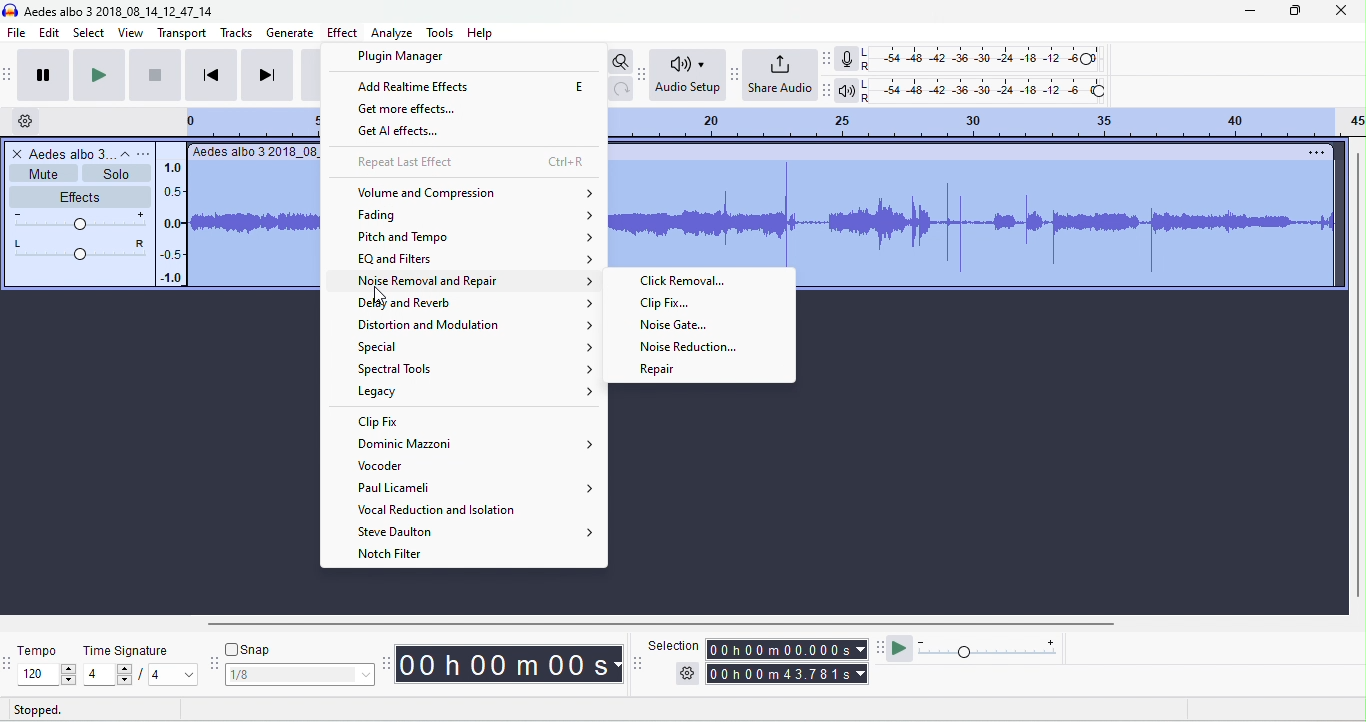 The height and width of the screenshot is (722, 1366). Describe the element at coordinates (215, 663) in the screenshot. I see `audacity snapping toolbar` at that location.